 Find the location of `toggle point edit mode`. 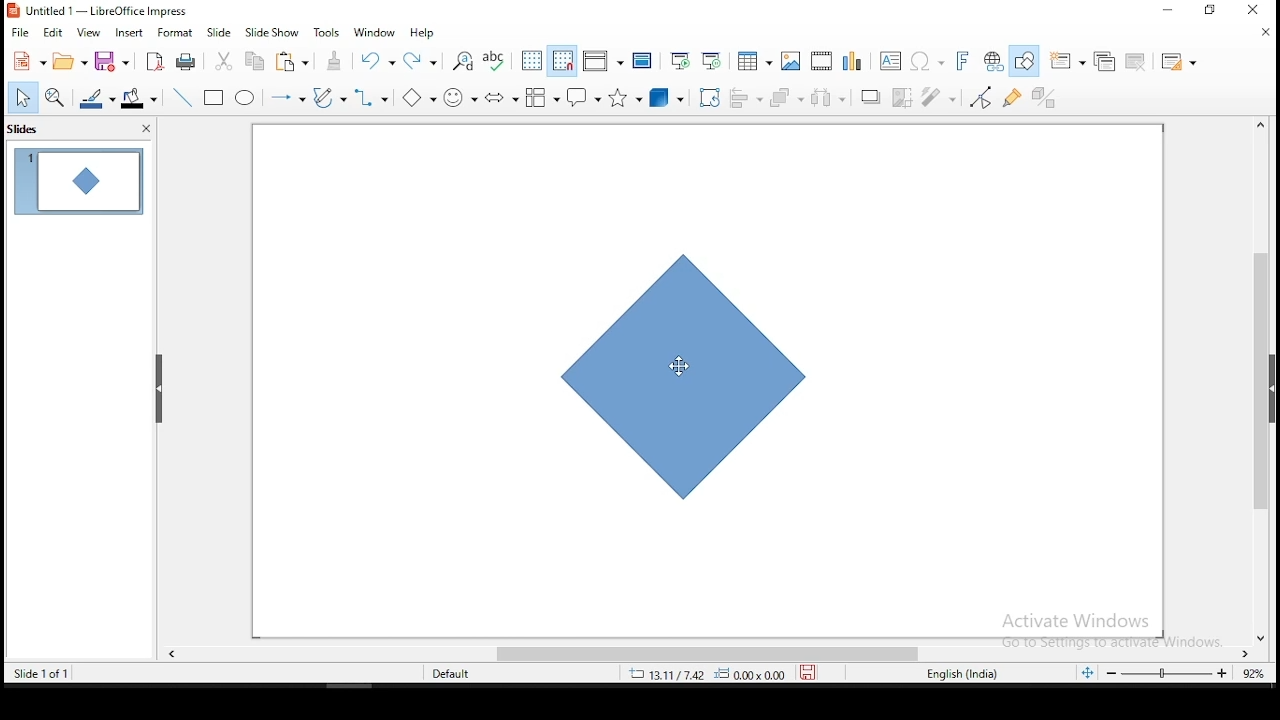

toggle point edit mode is located at coordinates (983, 97).